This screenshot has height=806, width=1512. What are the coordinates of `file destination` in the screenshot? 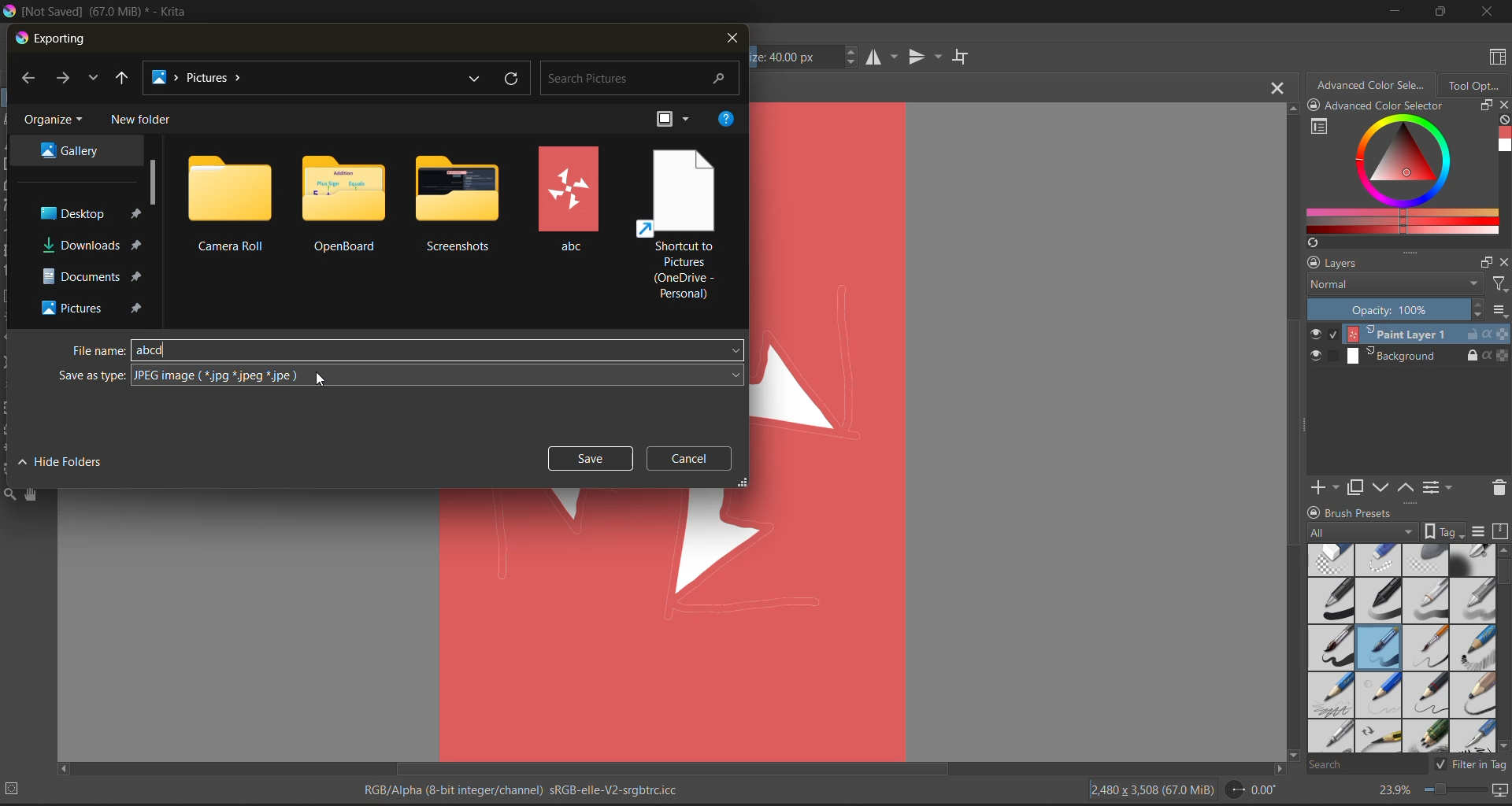 It's located at (88, 212).